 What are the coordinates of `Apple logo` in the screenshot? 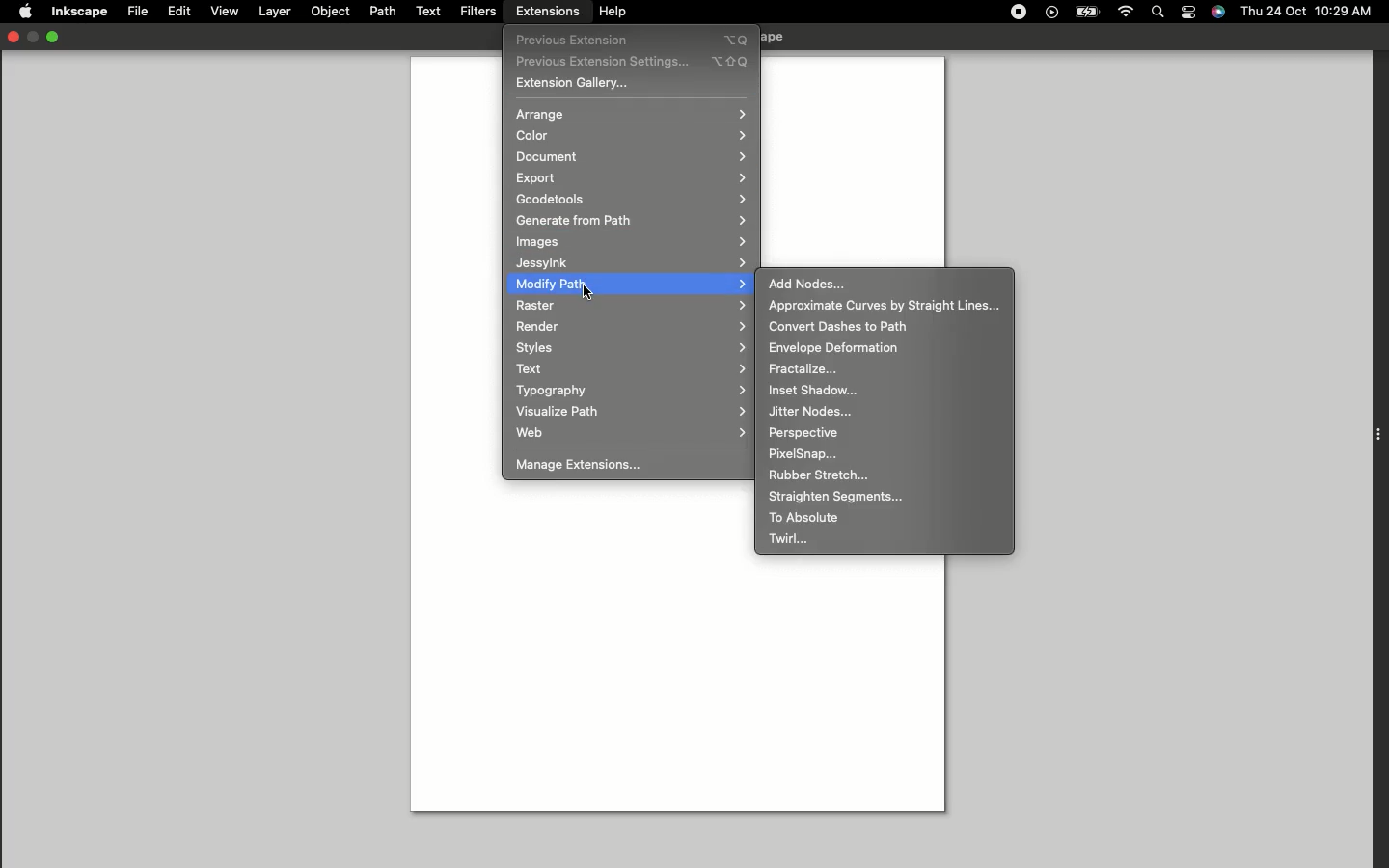 It's located at (30, 12).